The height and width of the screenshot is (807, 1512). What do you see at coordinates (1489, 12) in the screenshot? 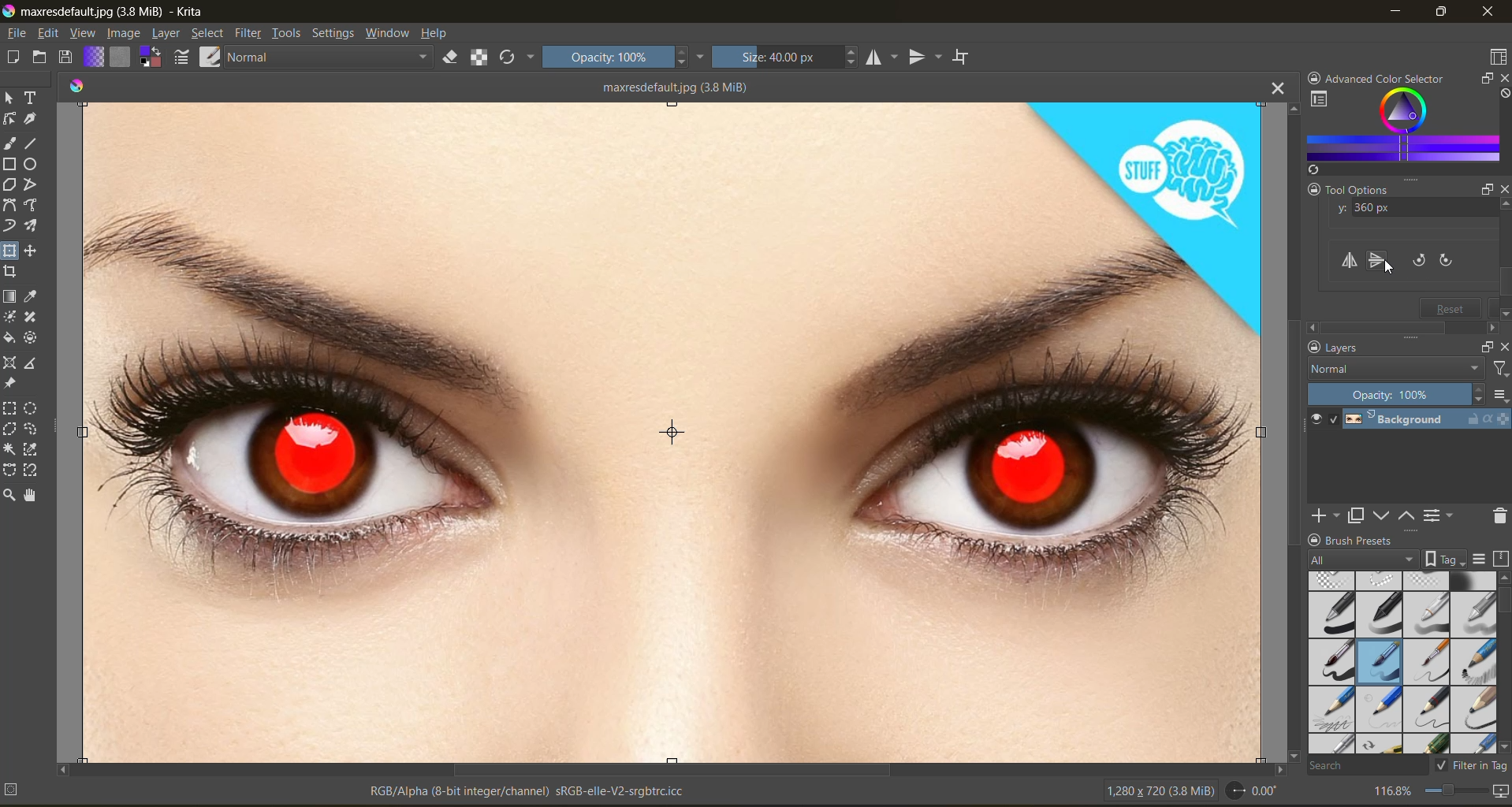
I see `close` at bounding box center [1489, 12].